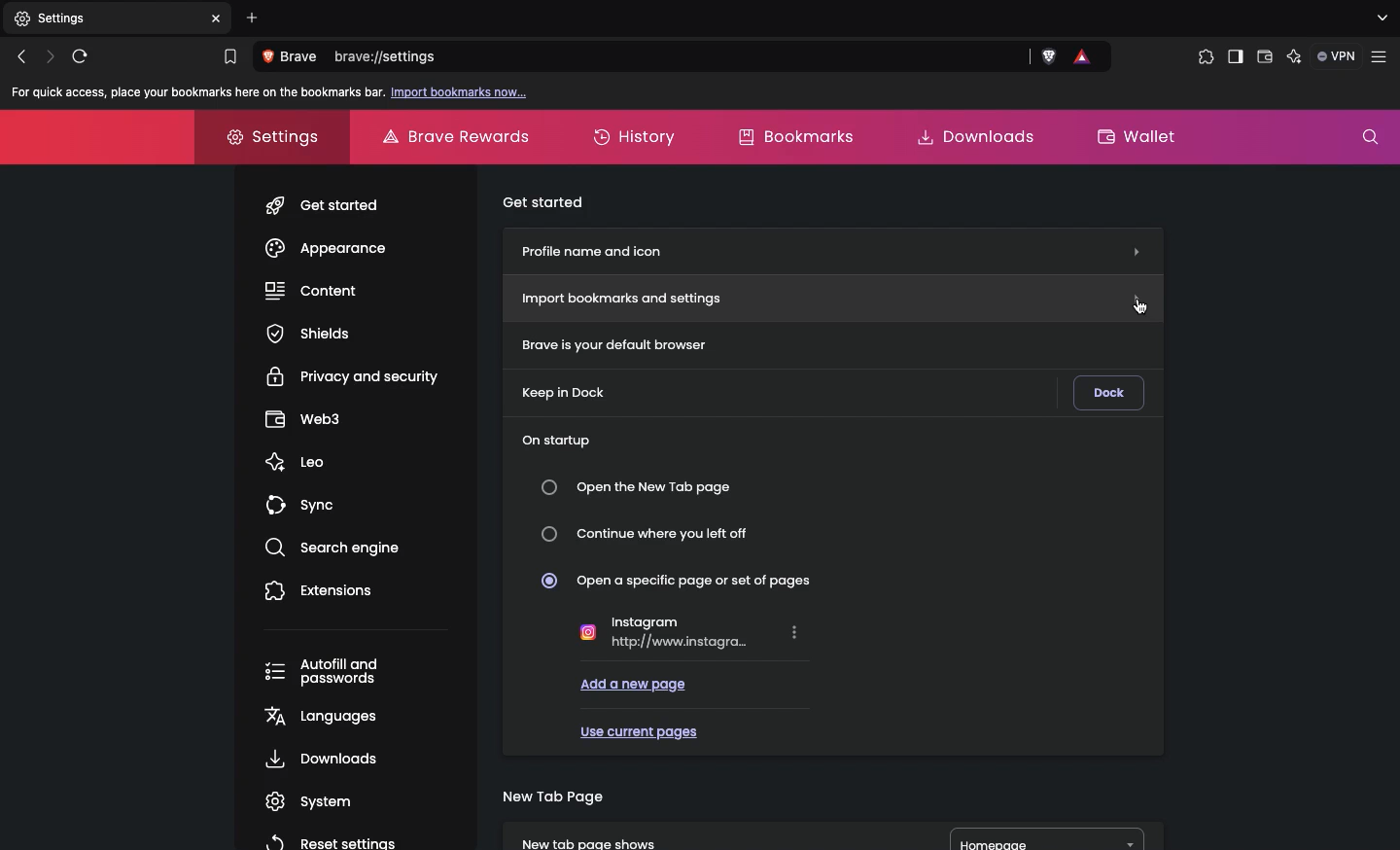  Describe the element at coordinates (304, 500) in the screenshot. I see `Sync` at that location.